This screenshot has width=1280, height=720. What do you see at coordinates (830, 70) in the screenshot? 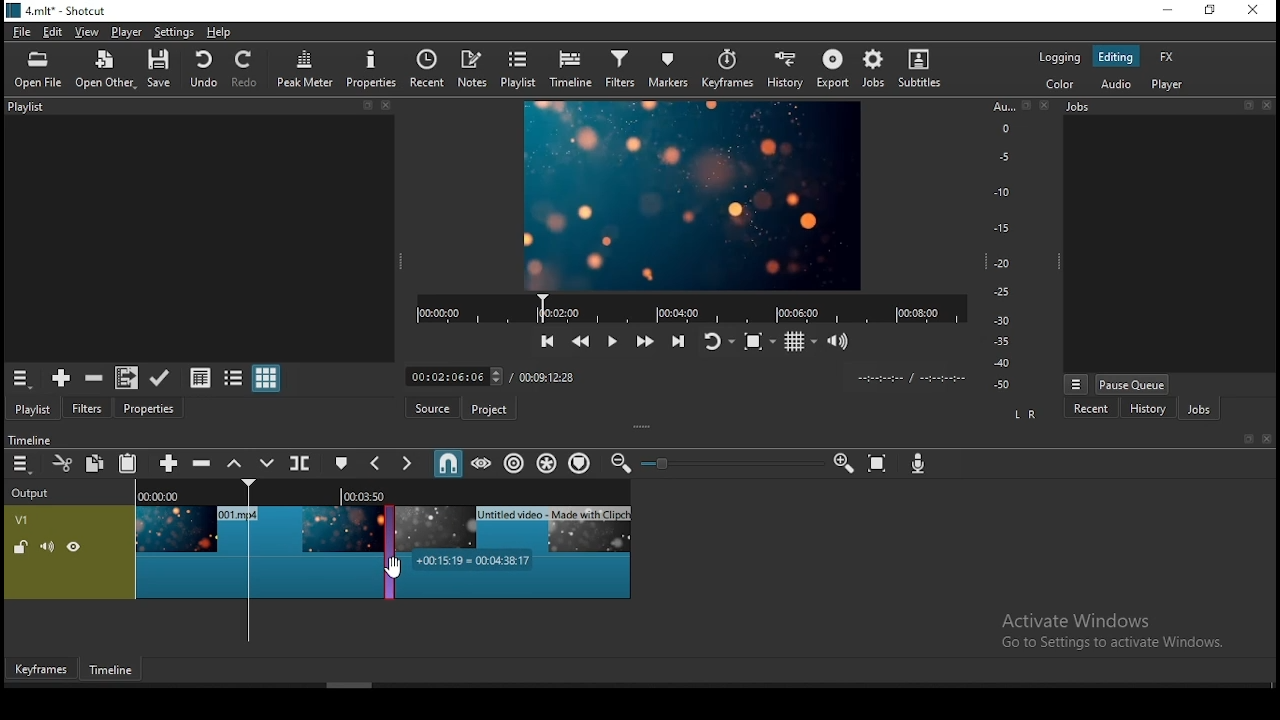
I see `export` at bounding box center [830, 70].